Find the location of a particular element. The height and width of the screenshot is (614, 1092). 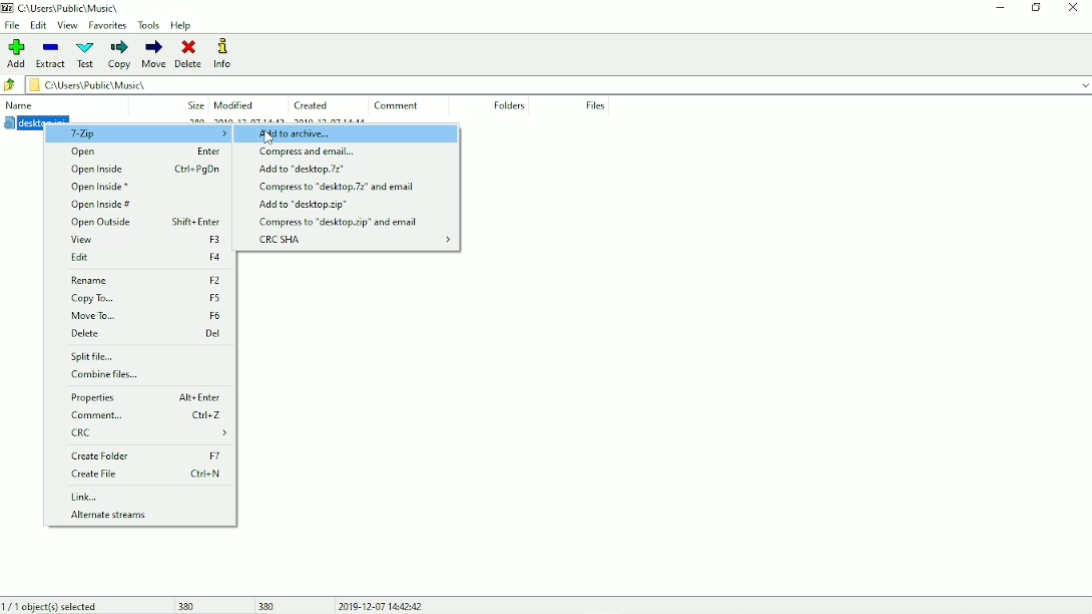

Move is located at coordinates (154, 54).